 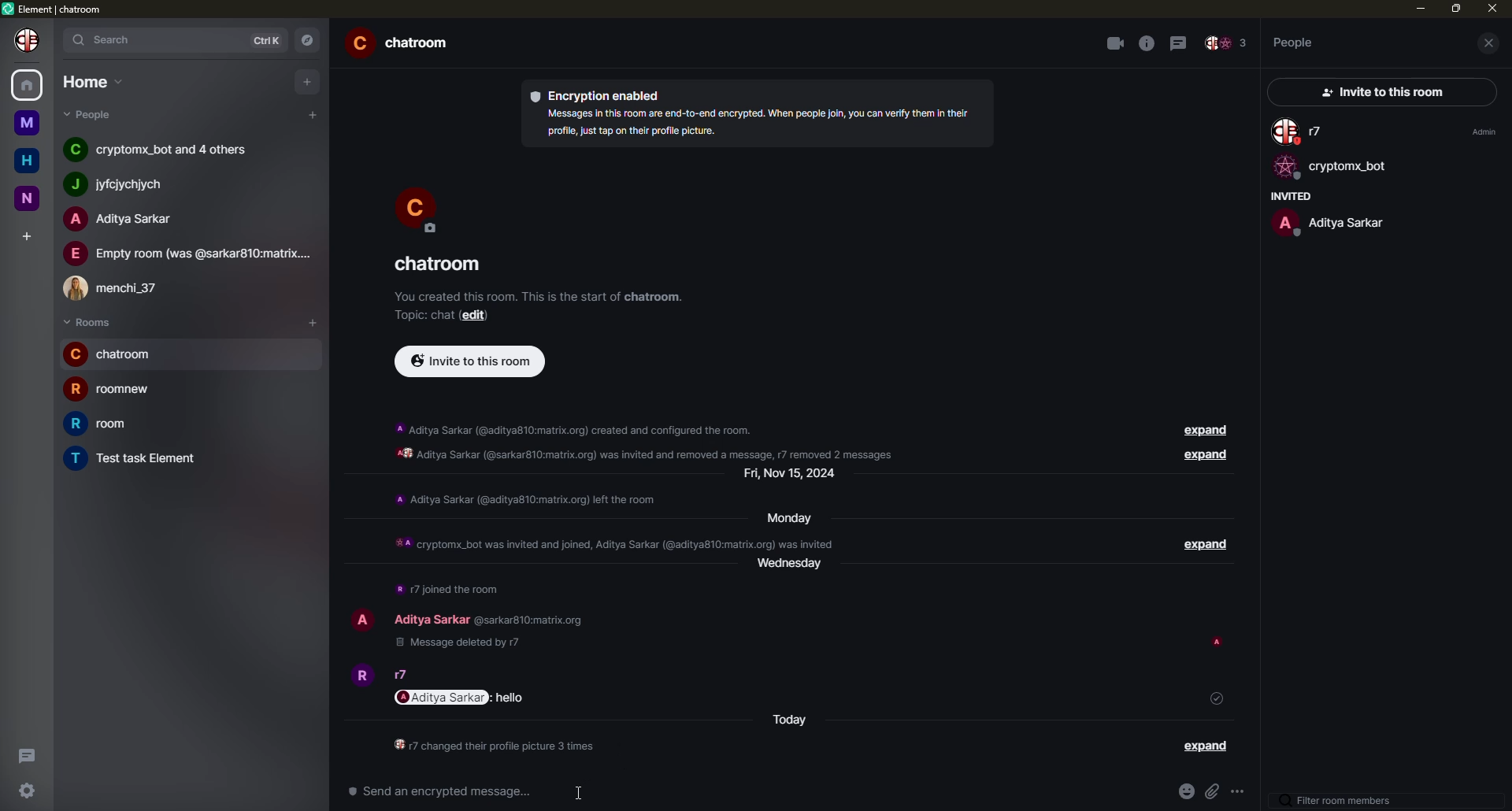 What do you see at coordinates (405, 675) in the screenshot?
I see `people` at bounding box center [405, 675].